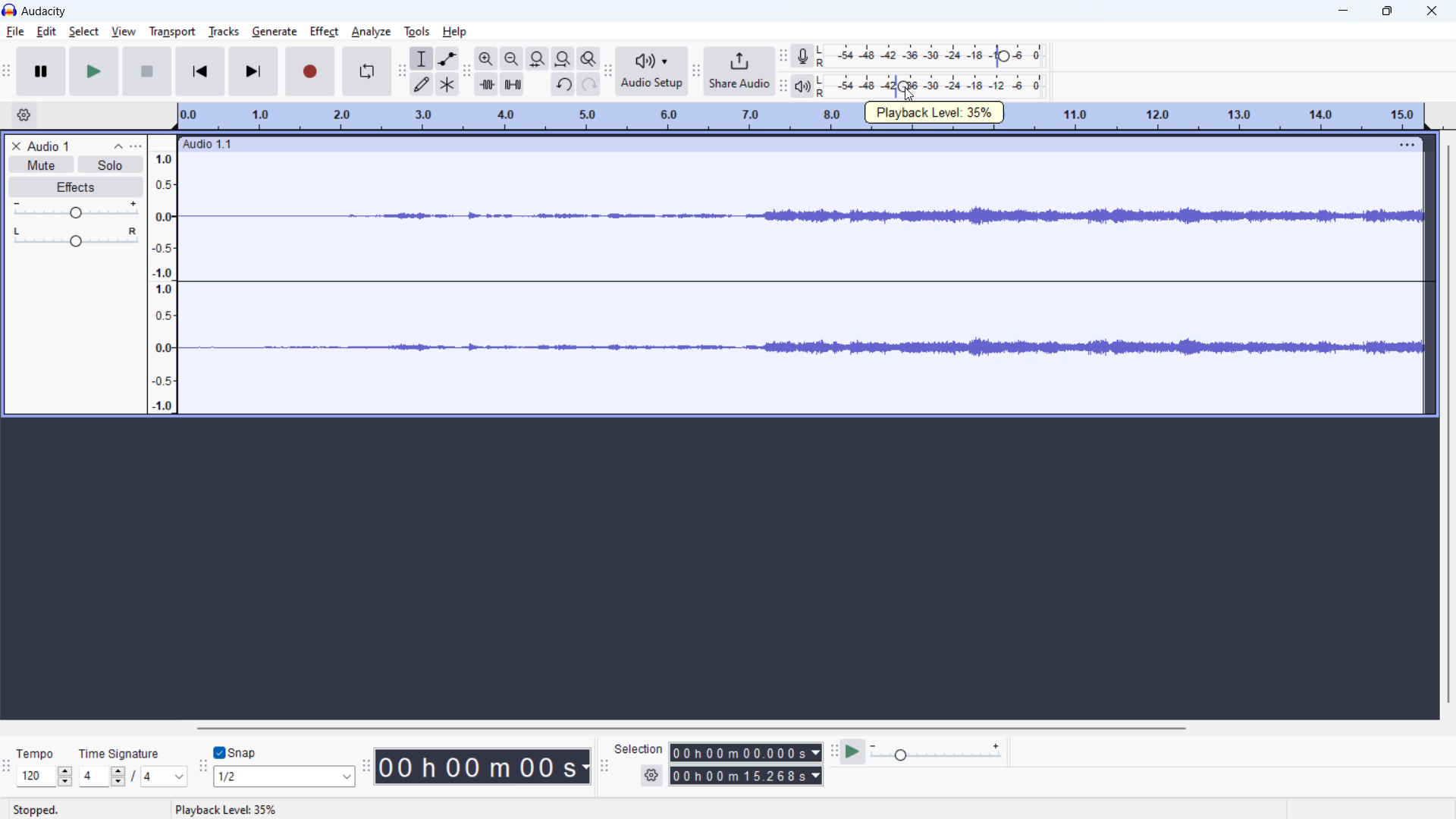 This screenshot has height=819, width=1456. Describe the element at coordinates (466, 71) in the screenshot. I see `edit toolbar` at that location.